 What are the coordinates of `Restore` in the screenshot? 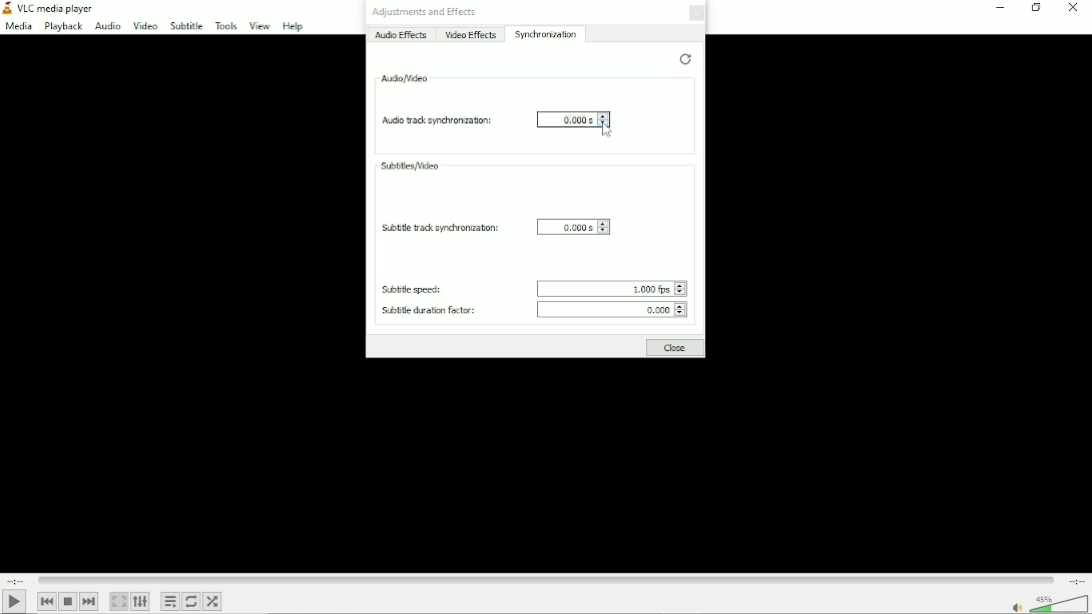 It's located at (685, 59).